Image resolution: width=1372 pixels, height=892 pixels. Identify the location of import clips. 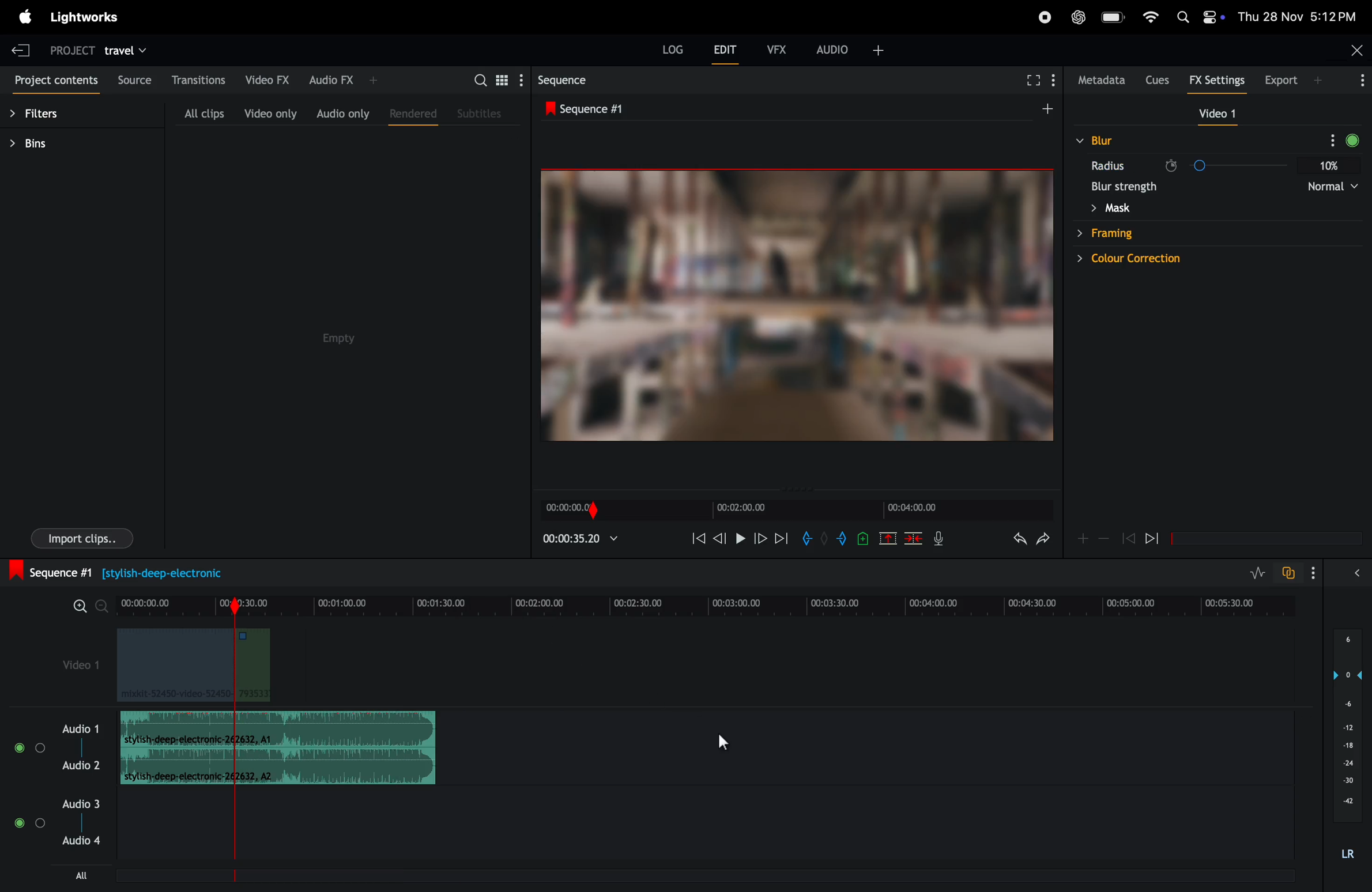
(82, 538).